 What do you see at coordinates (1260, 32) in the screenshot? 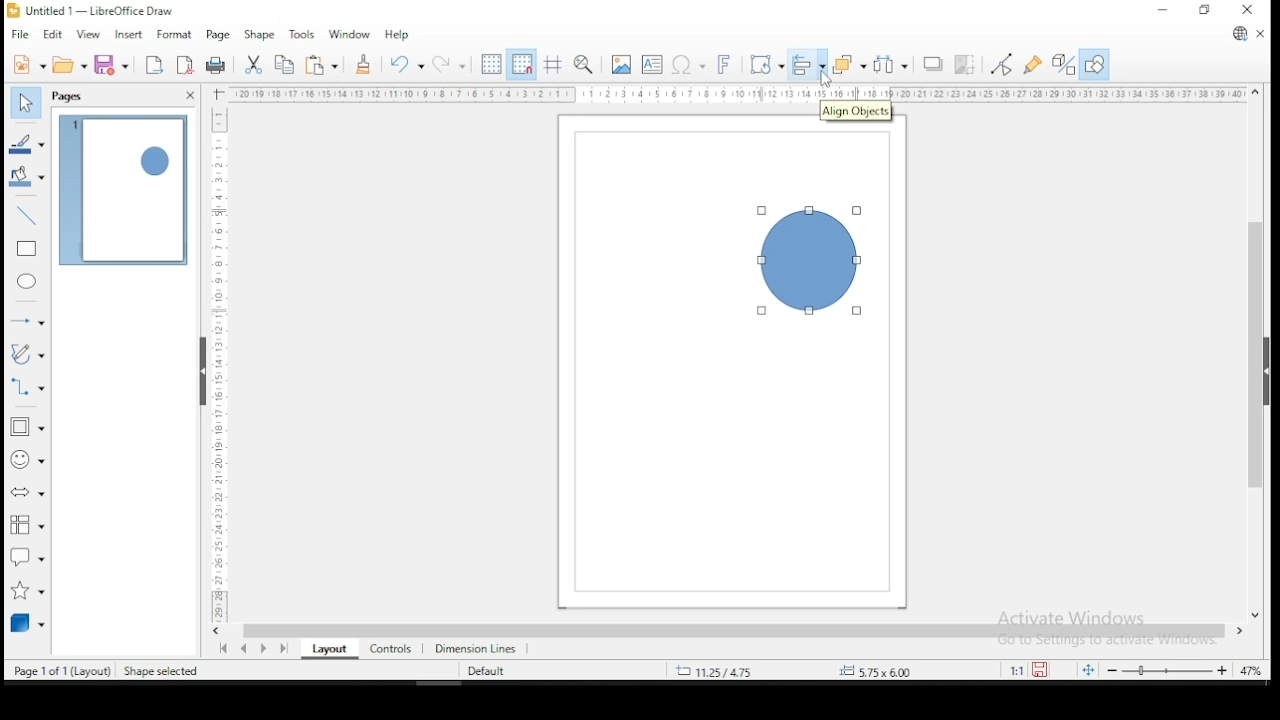
I see `close document` at bounding box center [1260, 32].